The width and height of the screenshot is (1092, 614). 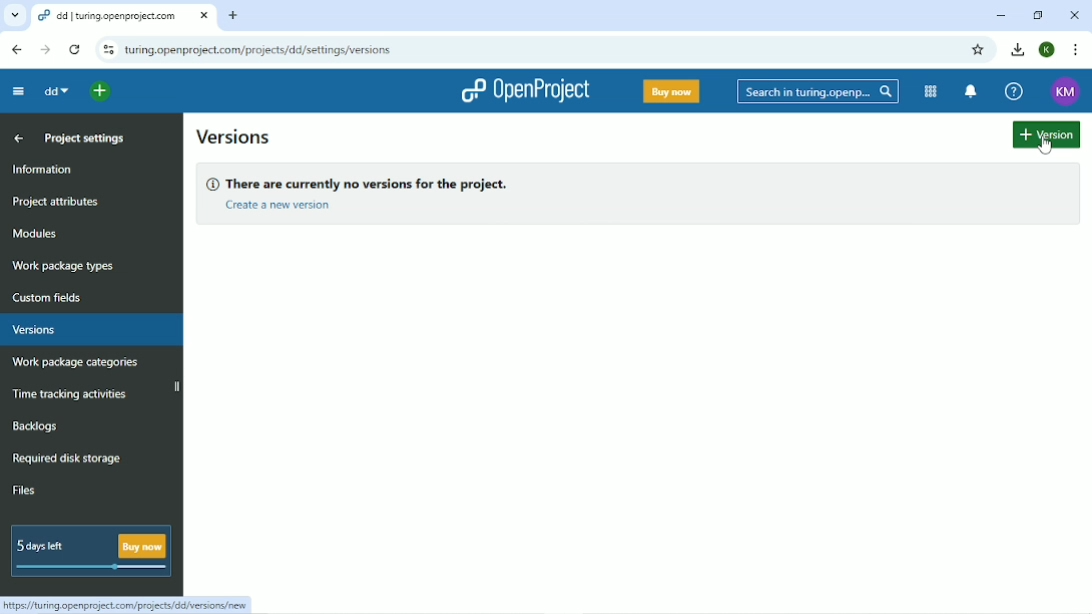 I want to click on Project attributes, so click(x=55, y=203).